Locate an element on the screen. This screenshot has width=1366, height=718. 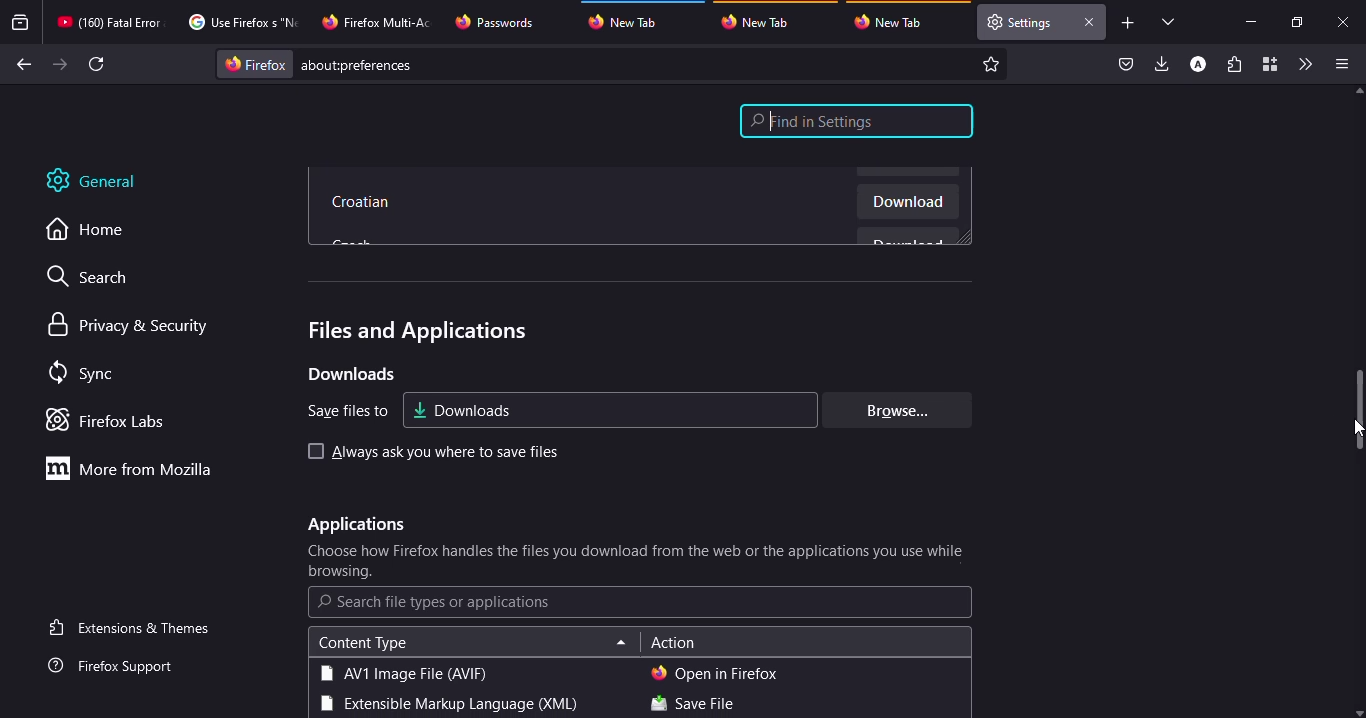
tab is located at coordinates (761, 21).